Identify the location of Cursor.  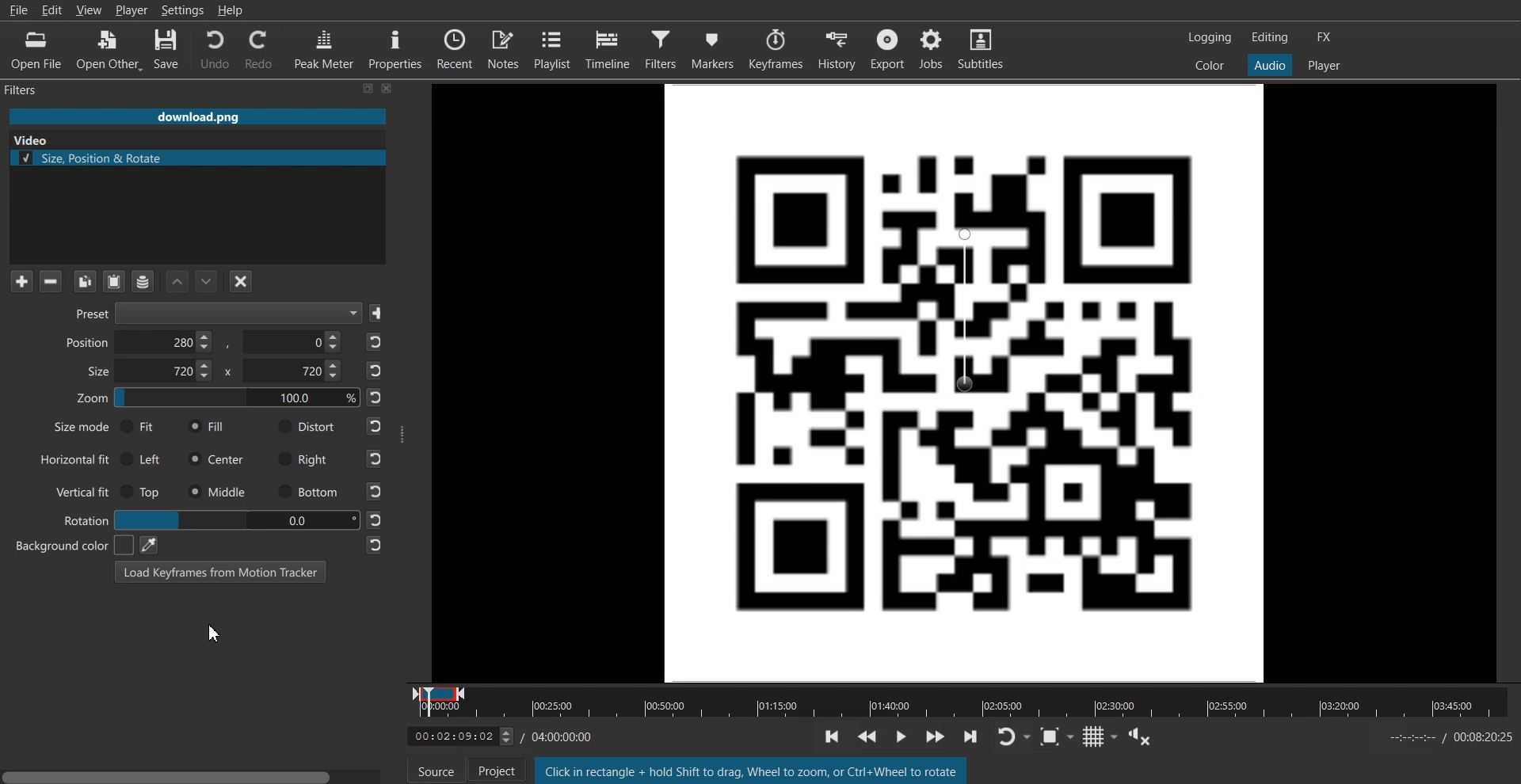
(215, 635).